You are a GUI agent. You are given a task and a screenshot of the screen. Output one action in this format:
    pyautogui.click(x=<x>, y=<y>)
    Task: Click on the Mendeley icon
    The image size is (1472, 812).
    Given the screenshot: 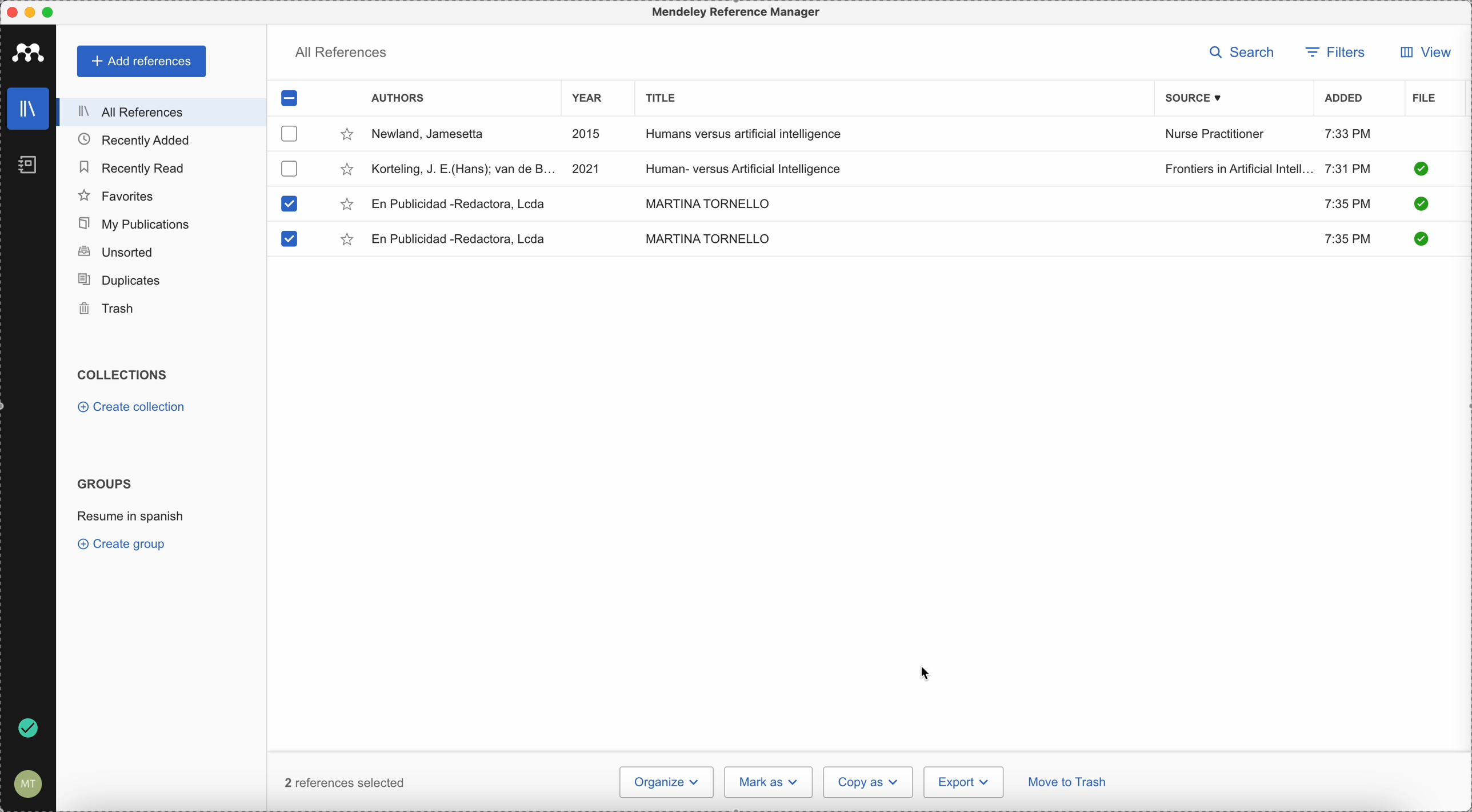 What is the action you would take?
    pyautogui.click(x=29, y=50)
    